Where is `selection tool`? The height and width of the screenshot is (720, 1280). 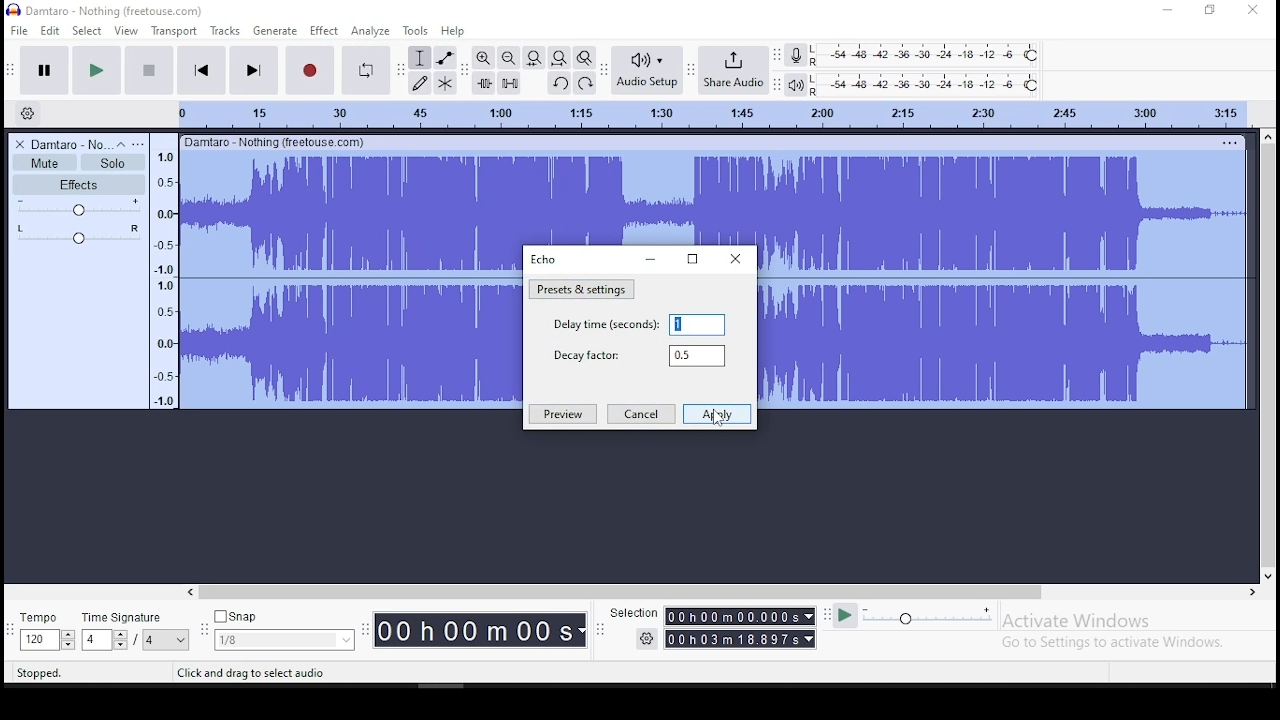 selection tool is located at coordinates (420, 57).